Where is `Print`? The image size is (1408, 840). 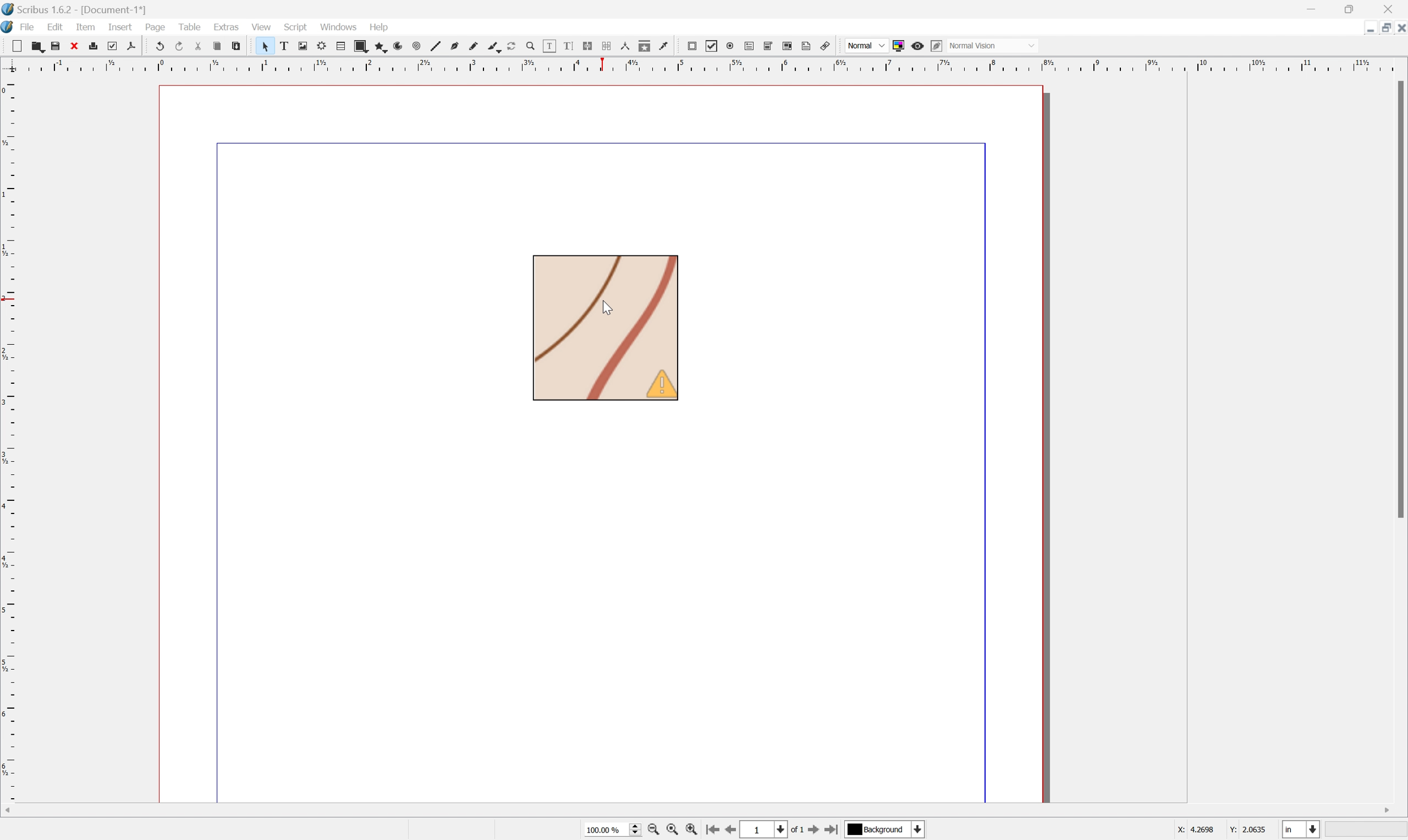
Print is located at coordinates (97, 46).